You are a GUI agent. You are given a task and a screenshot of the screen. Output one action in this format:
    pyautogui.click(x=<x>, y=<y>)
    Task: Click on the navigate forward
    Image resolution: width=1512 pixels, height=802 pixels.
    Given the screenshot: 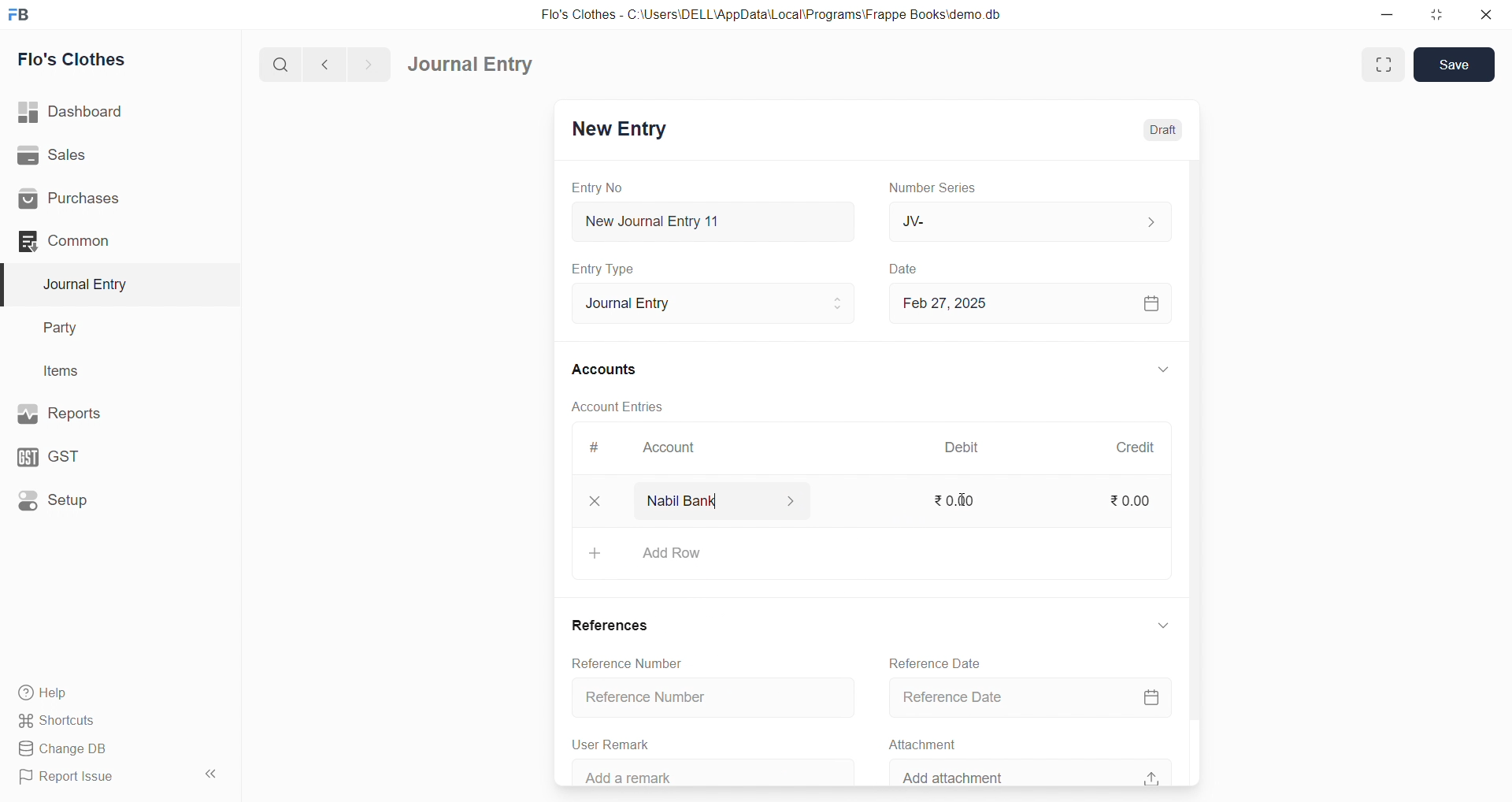 What is the action you would take?
    pyautogui.click(x=372, y=64)
    